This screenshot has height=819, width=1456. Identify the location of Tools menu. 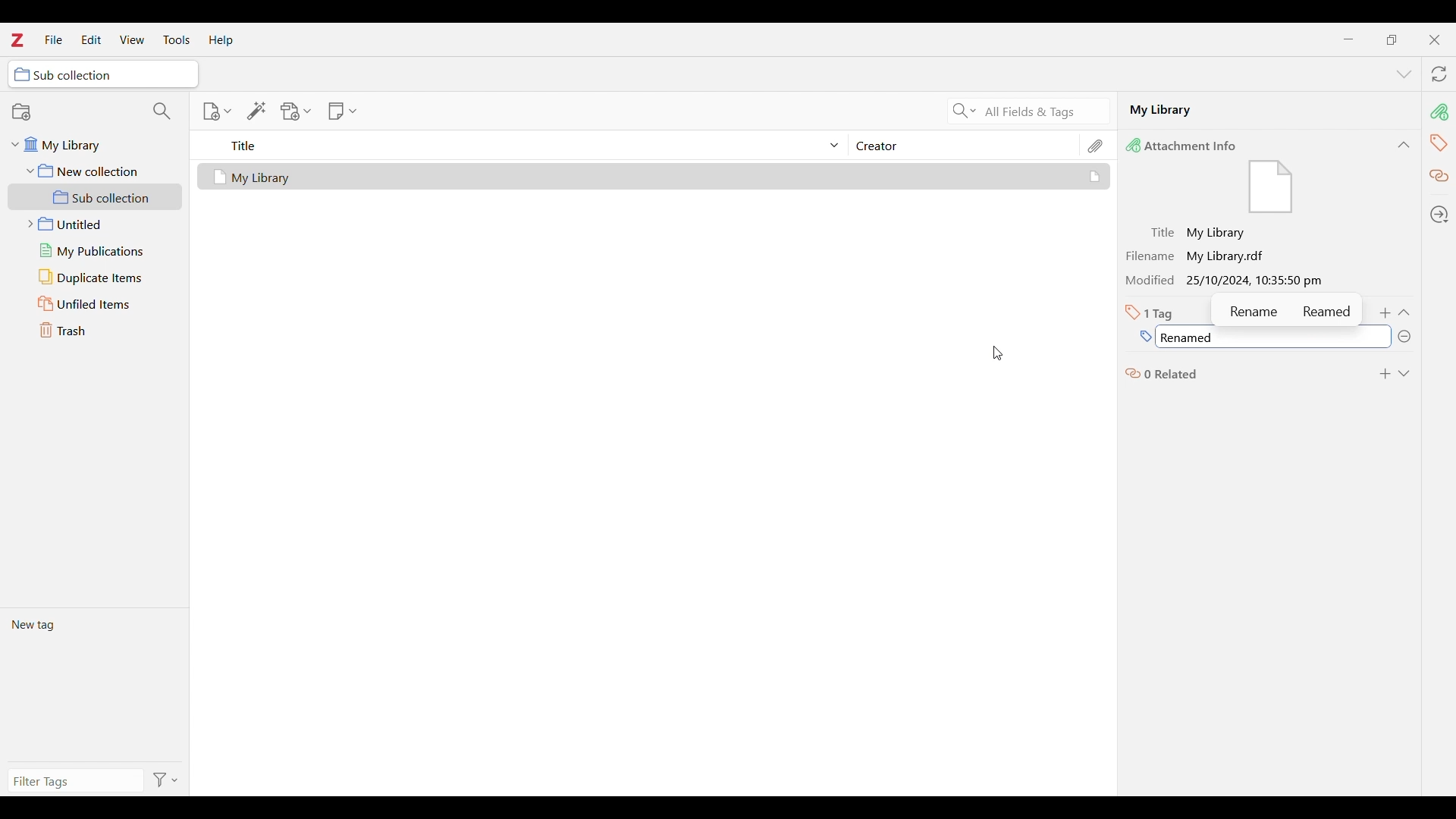
(177, 39).